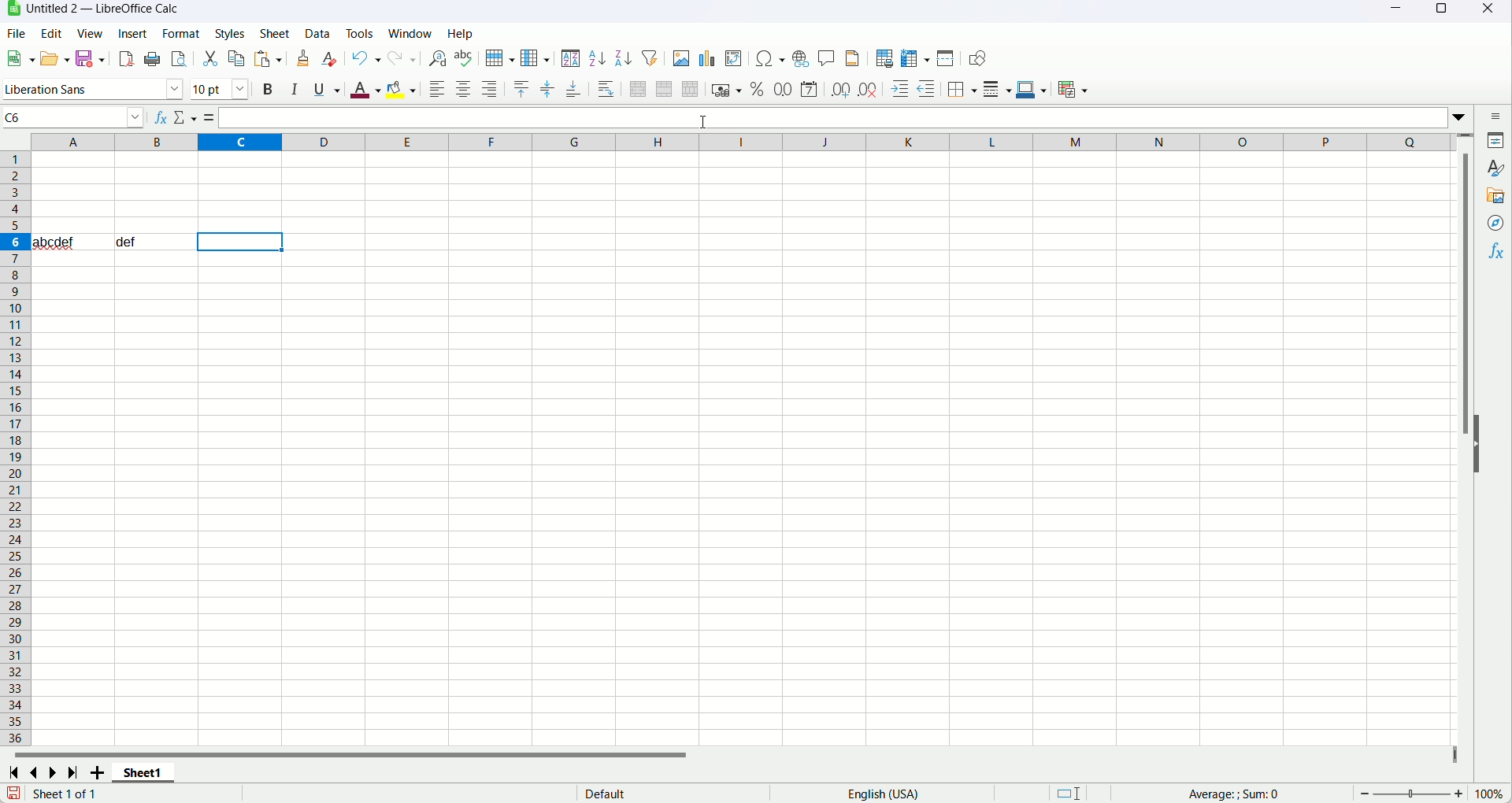  What do you see at coordinates (268, 58) in the screenshot?
I see `paste` at bounding box center [268, 58].